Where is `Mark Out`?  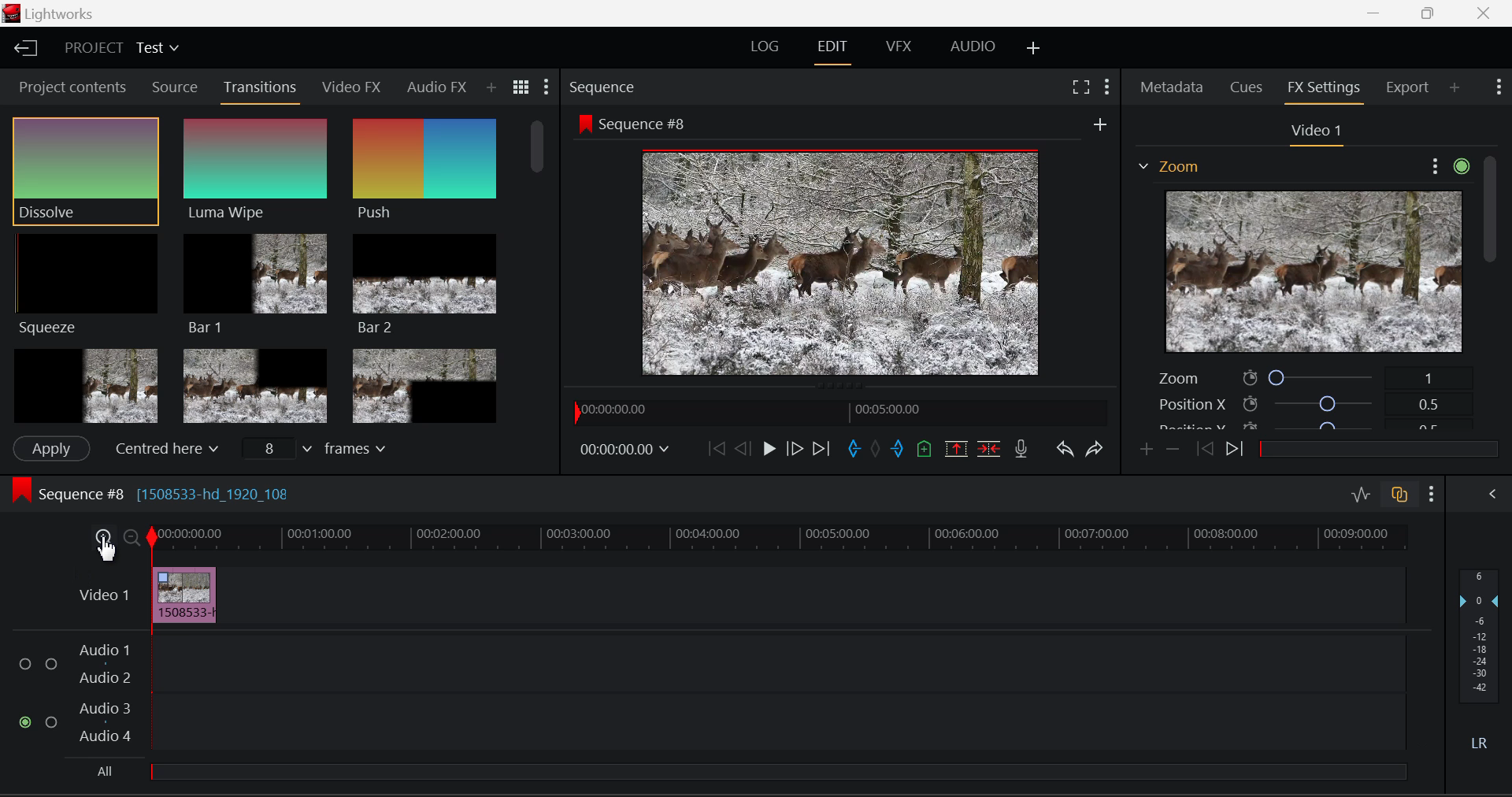
Mark Out is located at coordinates (896, 449).